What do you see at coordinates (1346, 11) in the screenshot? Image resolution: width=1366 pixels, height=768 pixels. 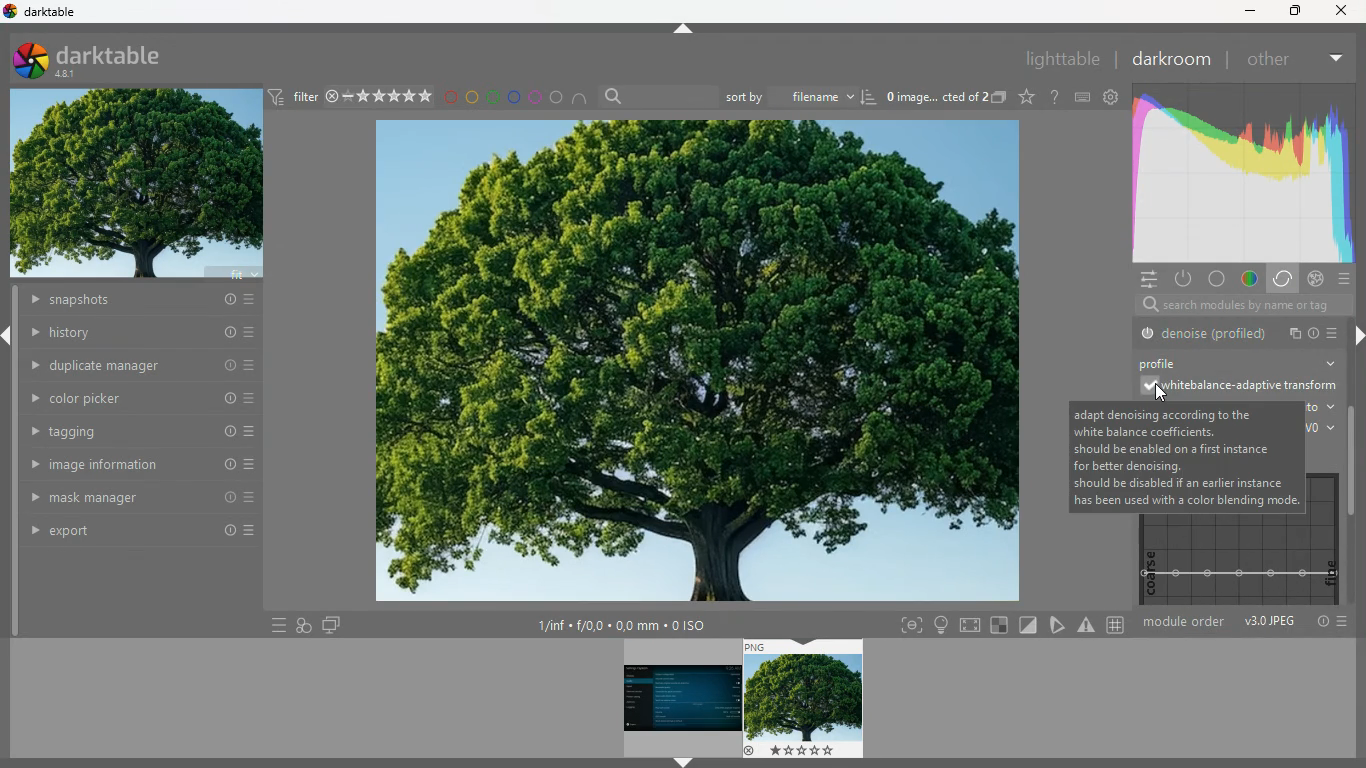 I see `close` at bounding box center [1346, 11].